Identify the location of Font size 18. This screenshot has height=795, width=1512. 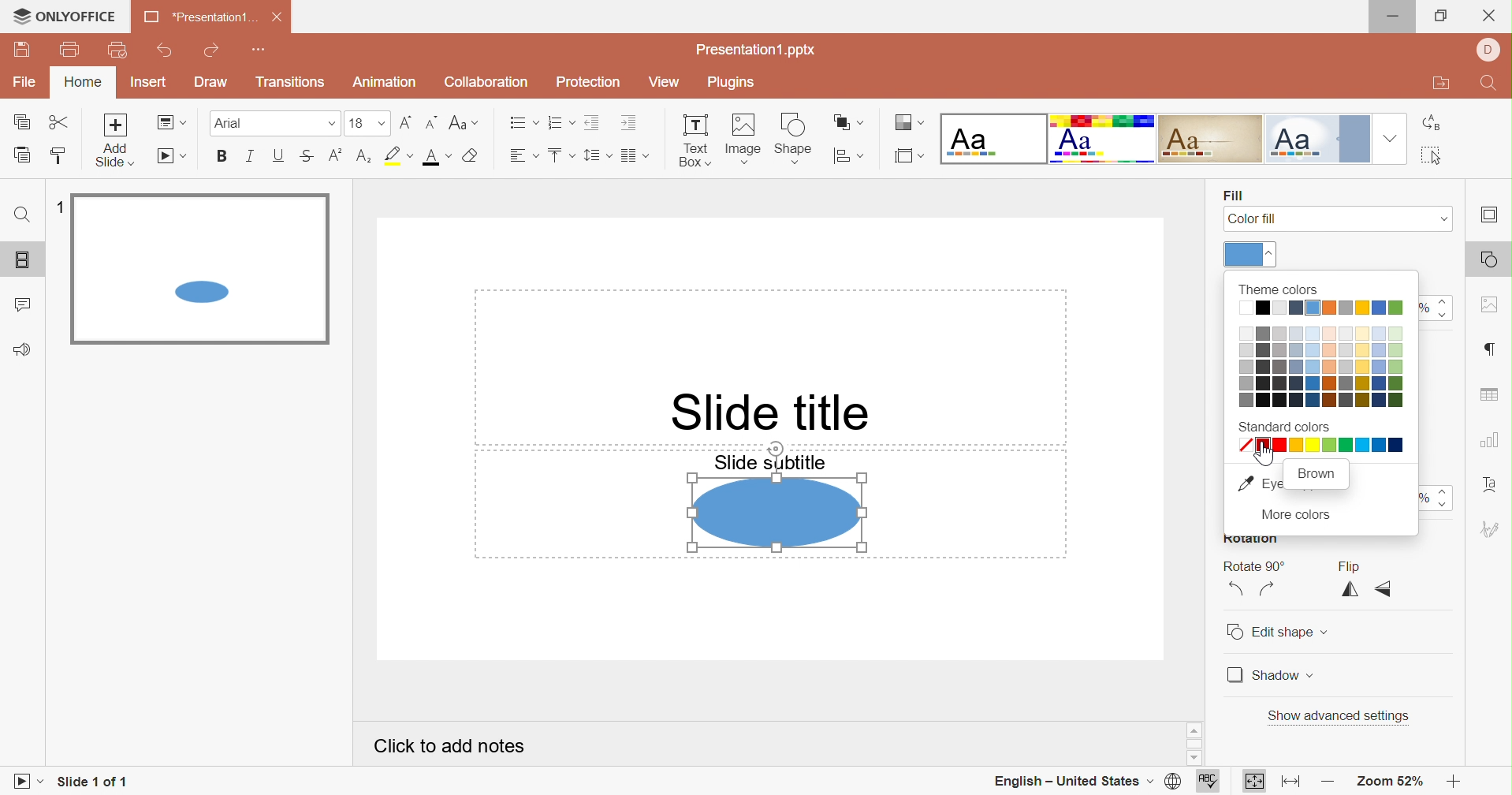
(367, 122).